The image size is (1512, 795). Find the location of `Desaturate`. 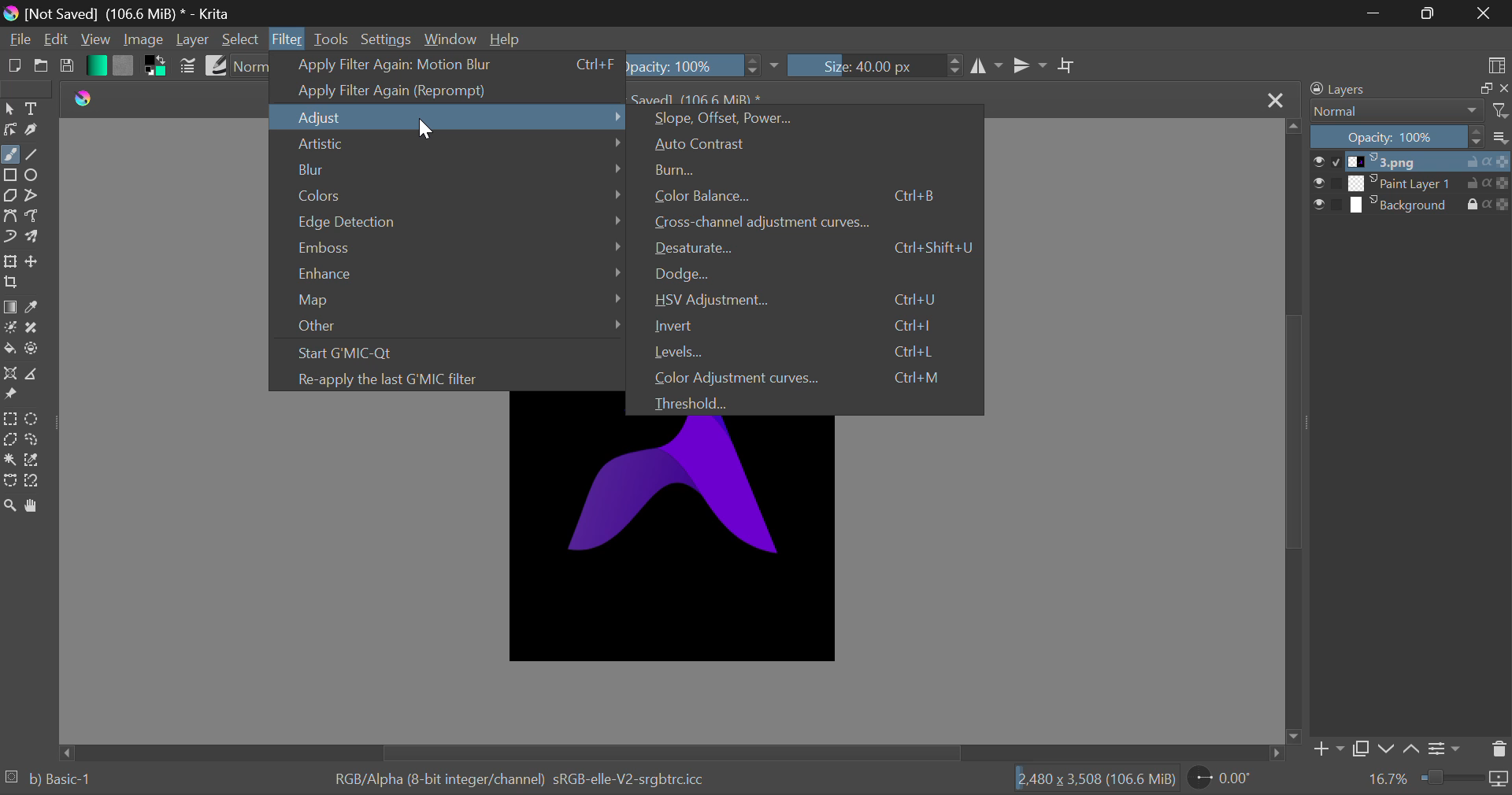

Desaturate is located at coordinates (812, 250).